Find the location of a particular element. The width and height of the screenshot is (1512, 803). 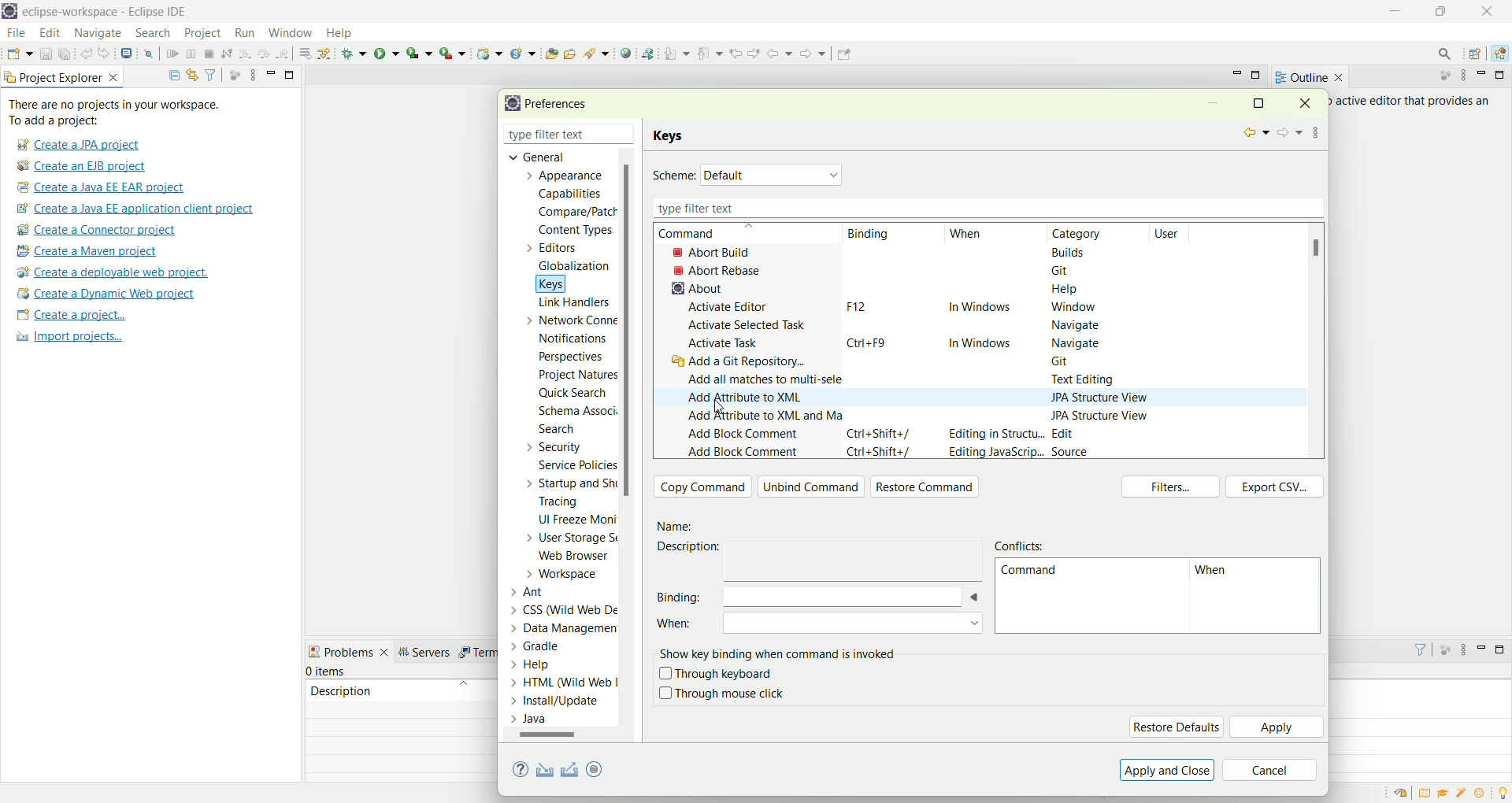

maximize is located at coordinates (1503, 649).